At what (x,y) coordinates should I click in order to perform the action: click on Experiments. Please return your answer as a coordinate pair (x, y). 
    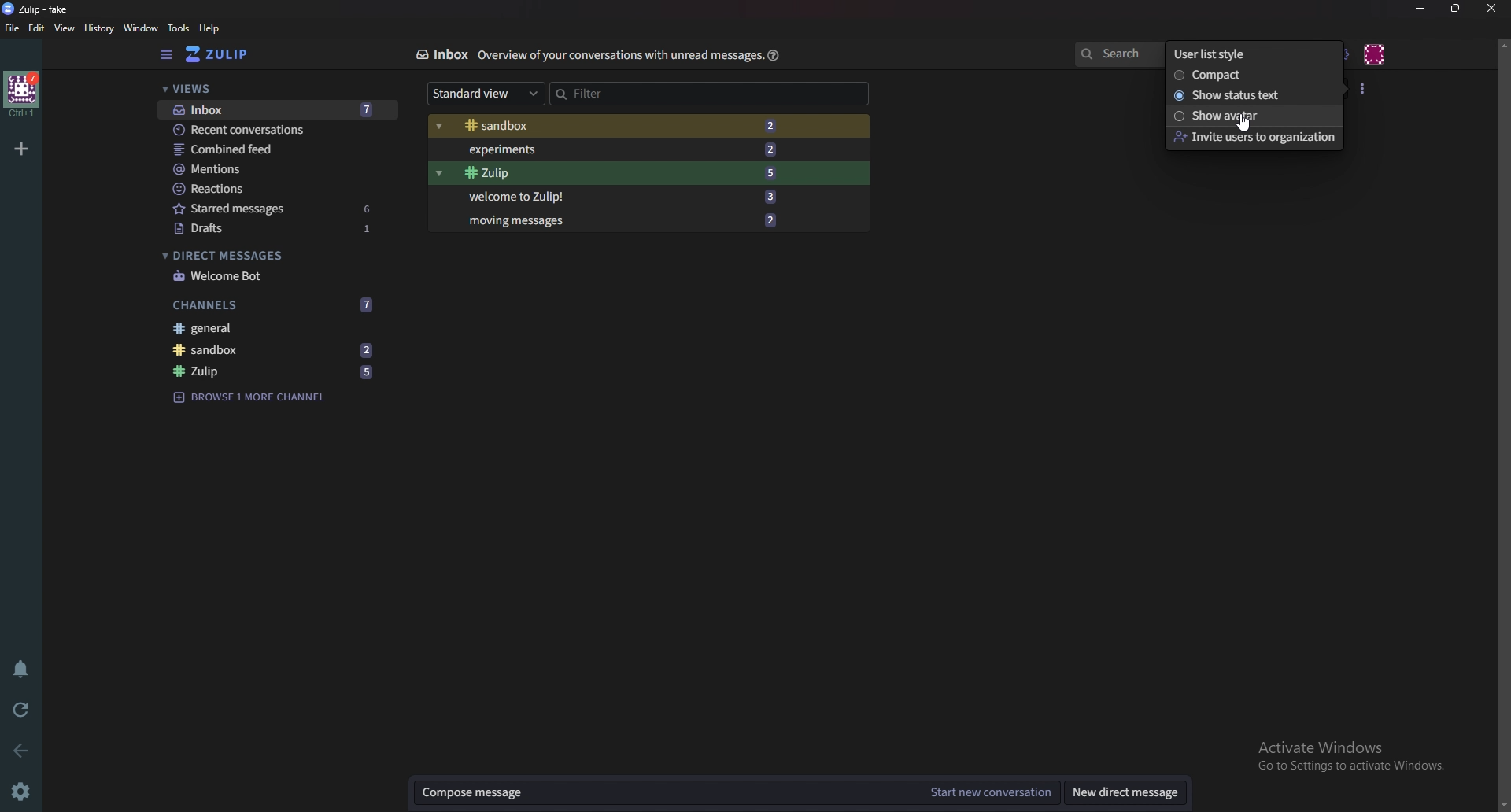
    Looking at the image, I should click on (615, 150).